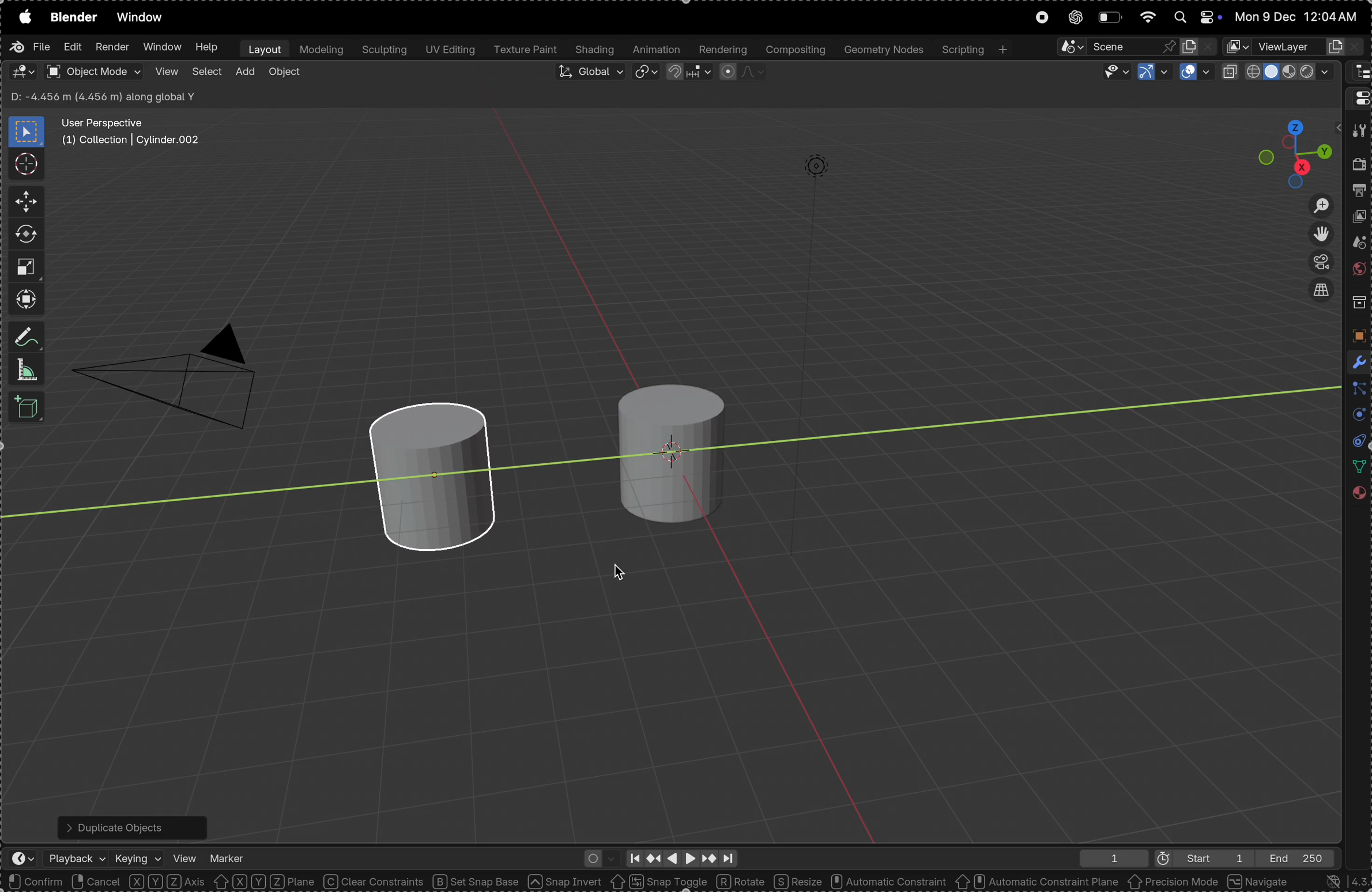  I want to click on navigate, so click(1260, 881).